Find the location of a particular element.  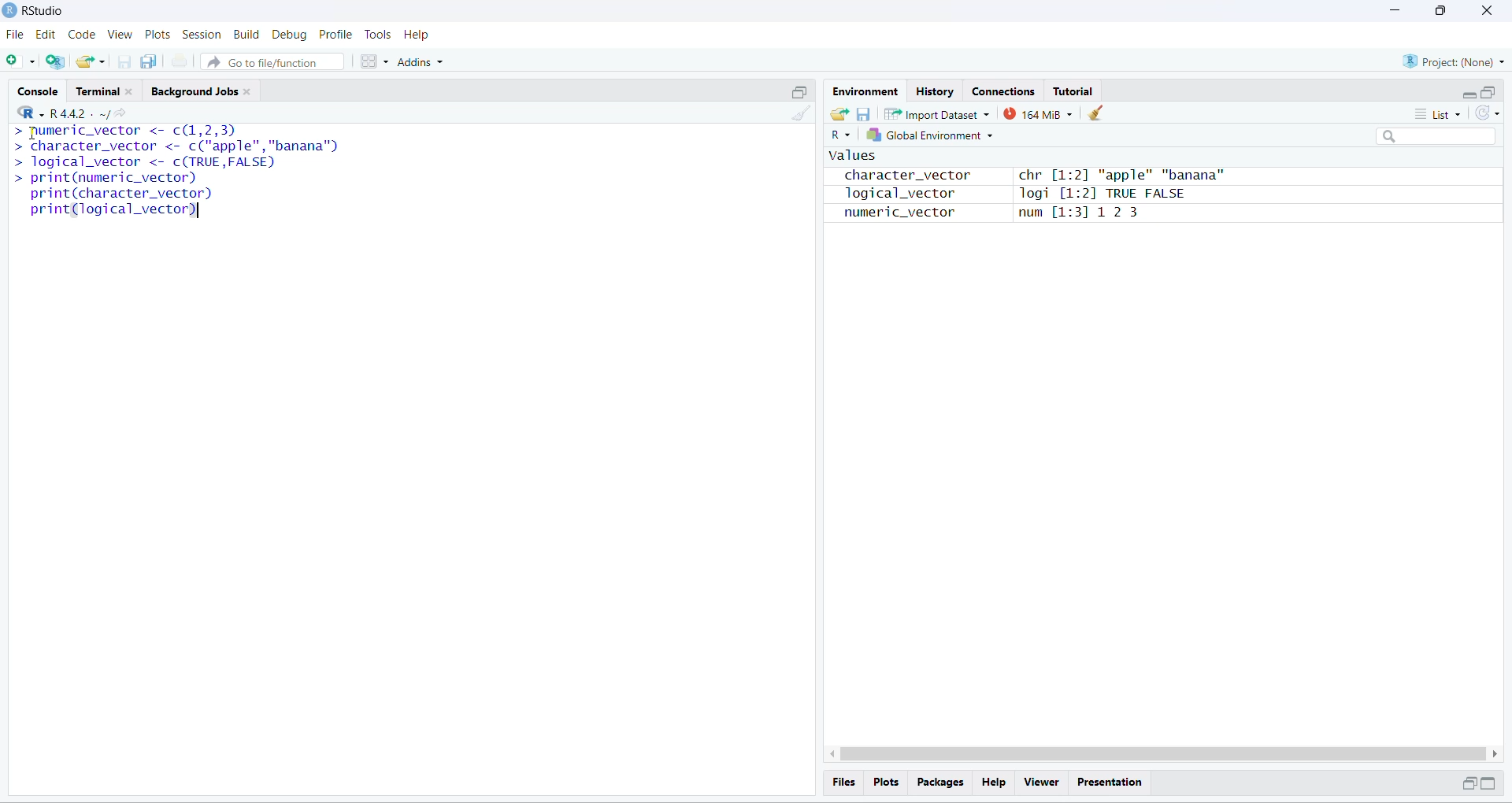

list is located at coordinates (1443, 113).